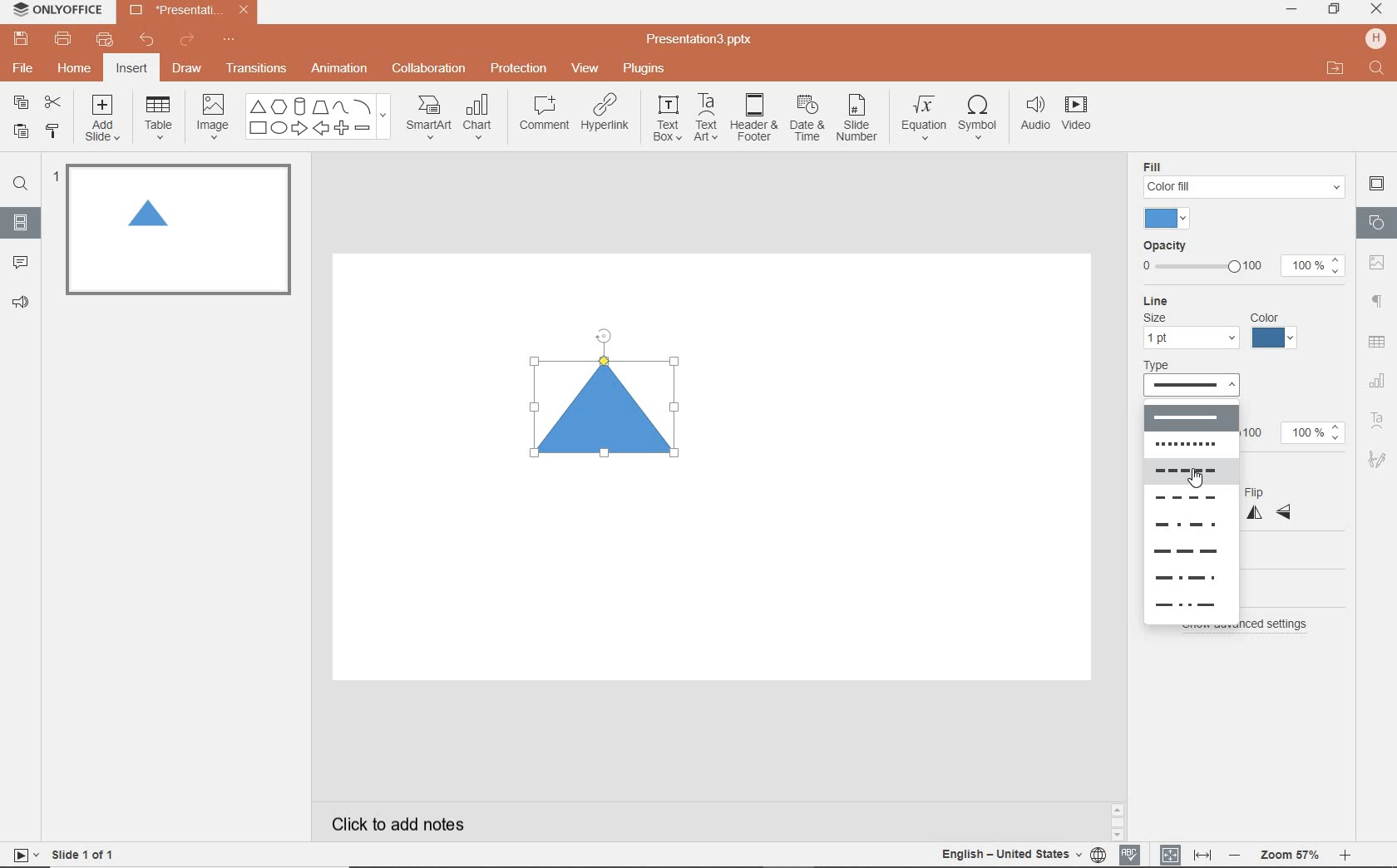 The width and height of the screenshot is (1397, 868). Describe the element at coordinates (1240, 259) in the screenshot. I see `opacity` at that location.